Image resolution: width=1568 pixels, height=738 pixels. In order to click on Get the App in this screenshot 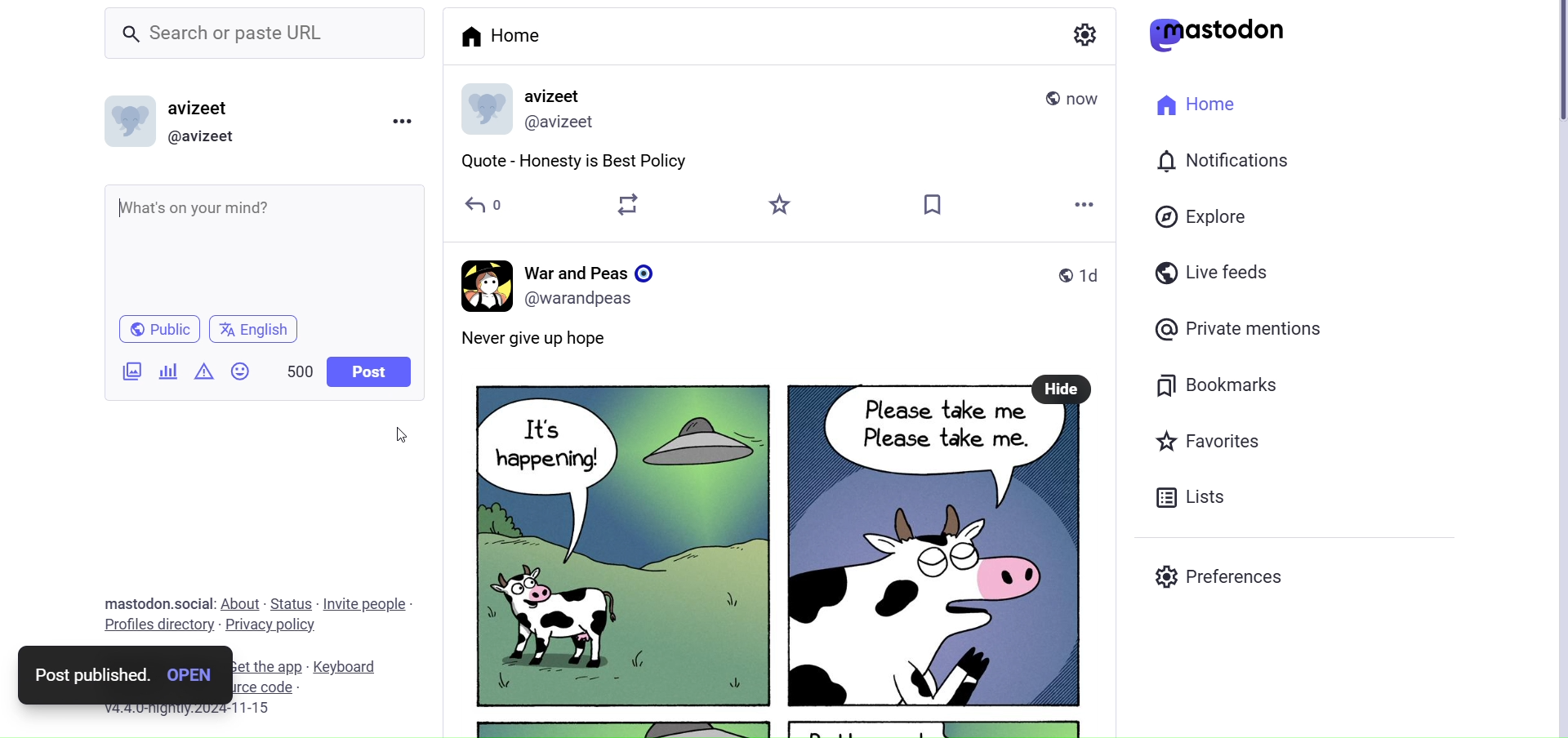, I will do `click(273, 666)`.